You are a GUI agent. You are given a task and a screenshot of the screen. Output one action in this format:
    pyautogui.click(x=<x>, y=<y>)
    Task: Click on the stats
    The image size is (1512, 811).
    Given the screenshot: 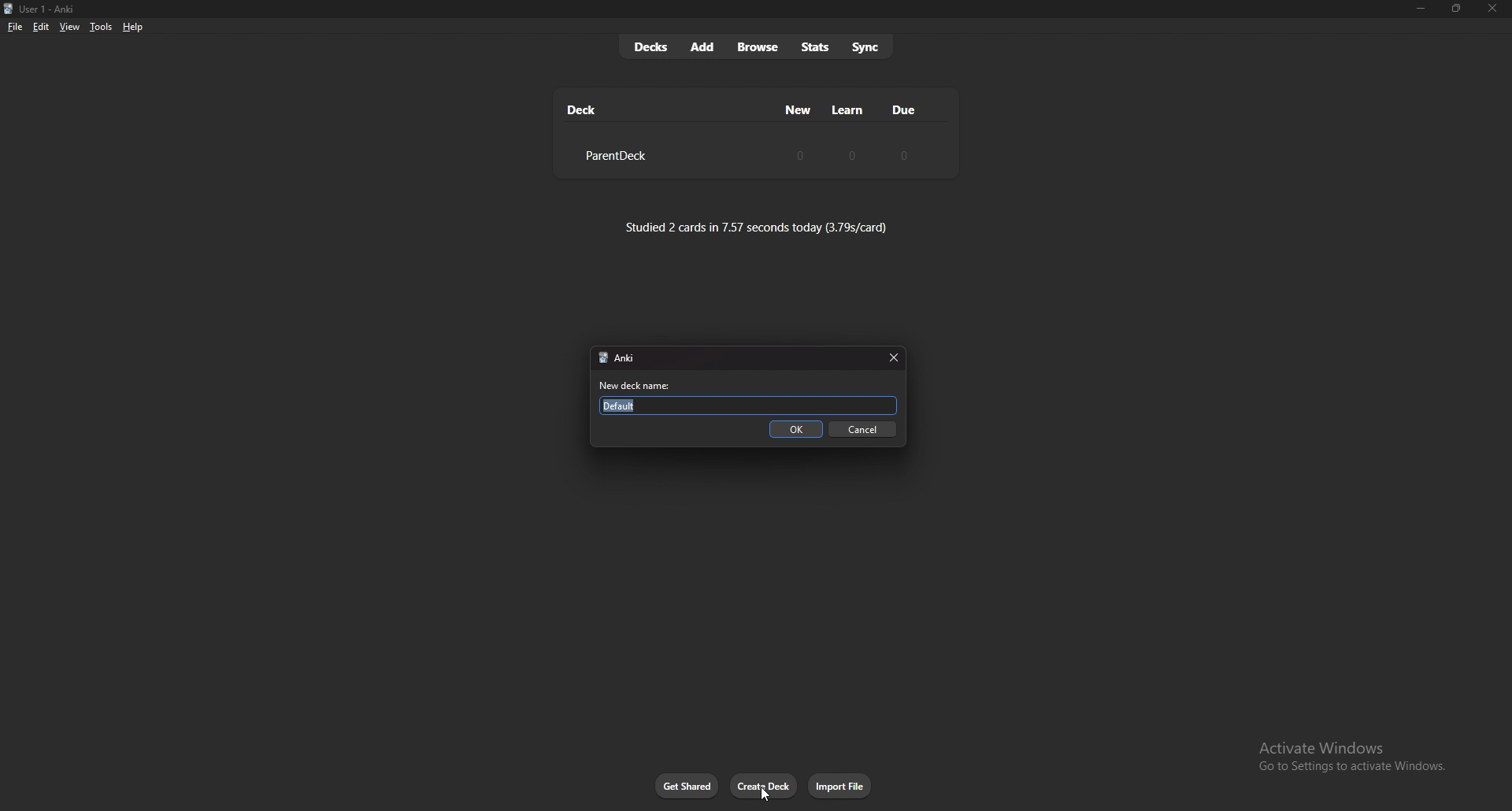 What is the action you would take?
    pyautogui.click(x=815, y=47)
    